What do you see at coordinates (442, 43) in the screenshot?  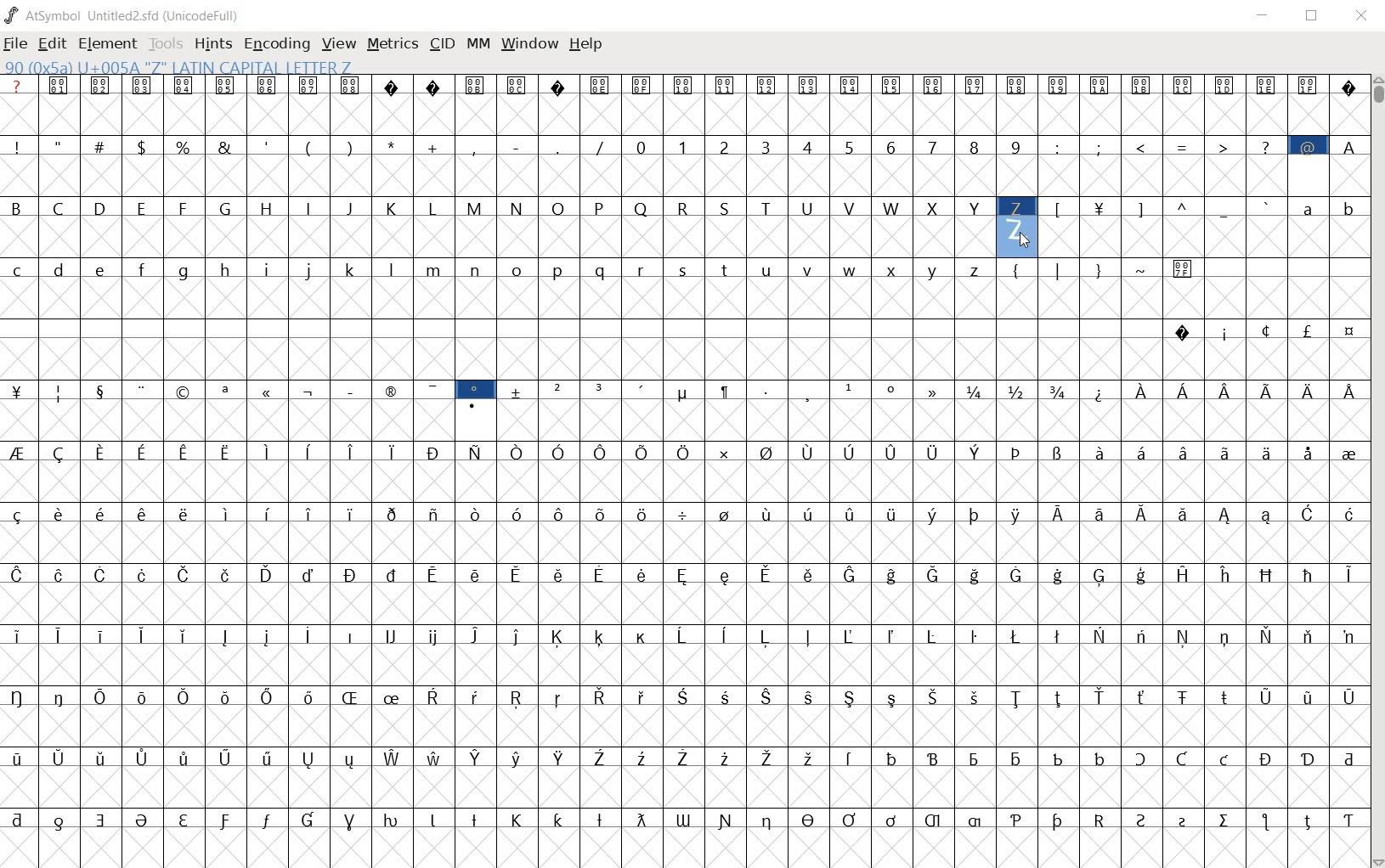 I see `cid` at bounding box center [442, 43].